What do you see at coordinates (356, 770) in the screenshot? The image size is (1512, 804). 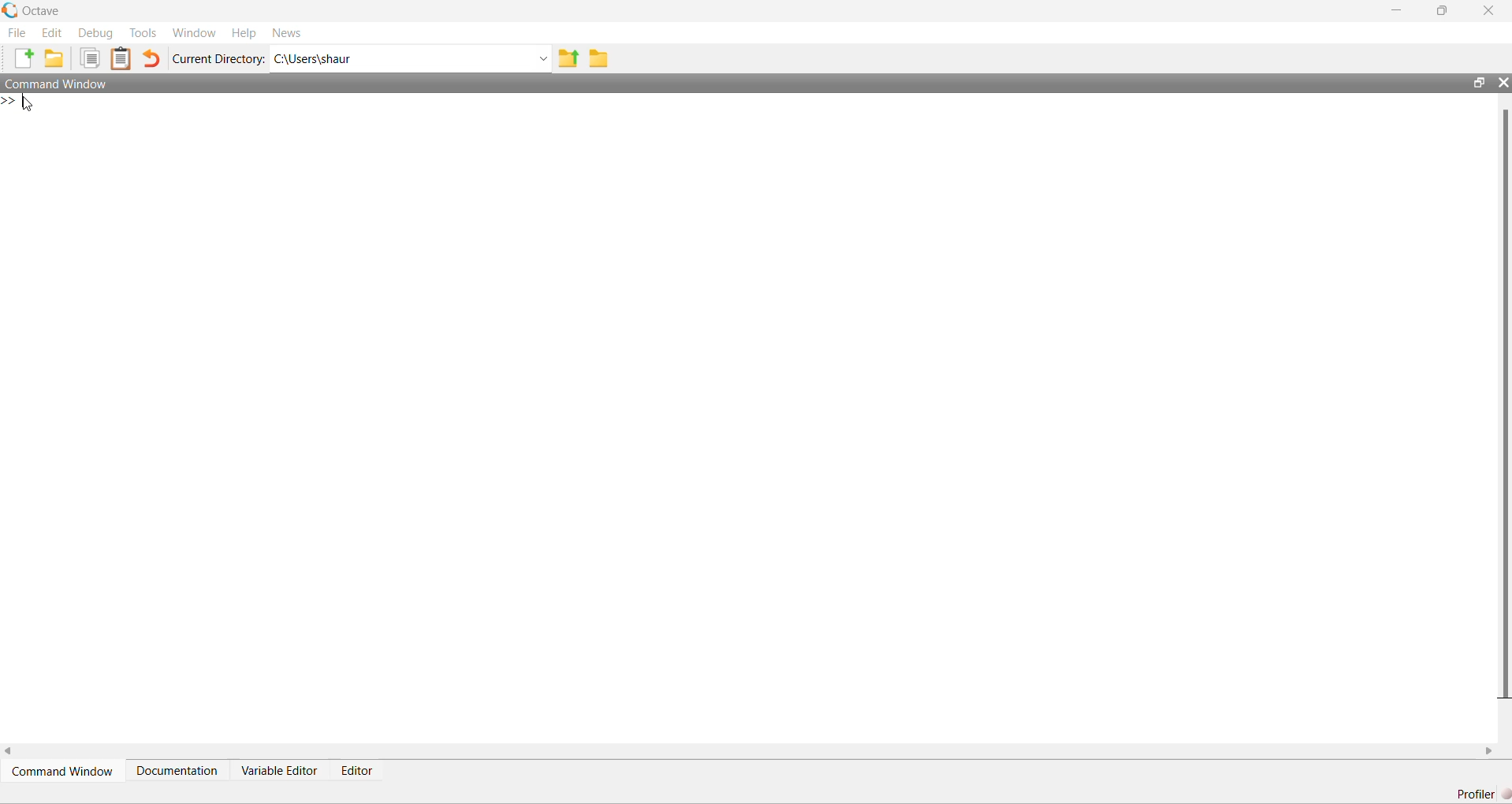 I see `Editor` at bounding box center [356, 770].